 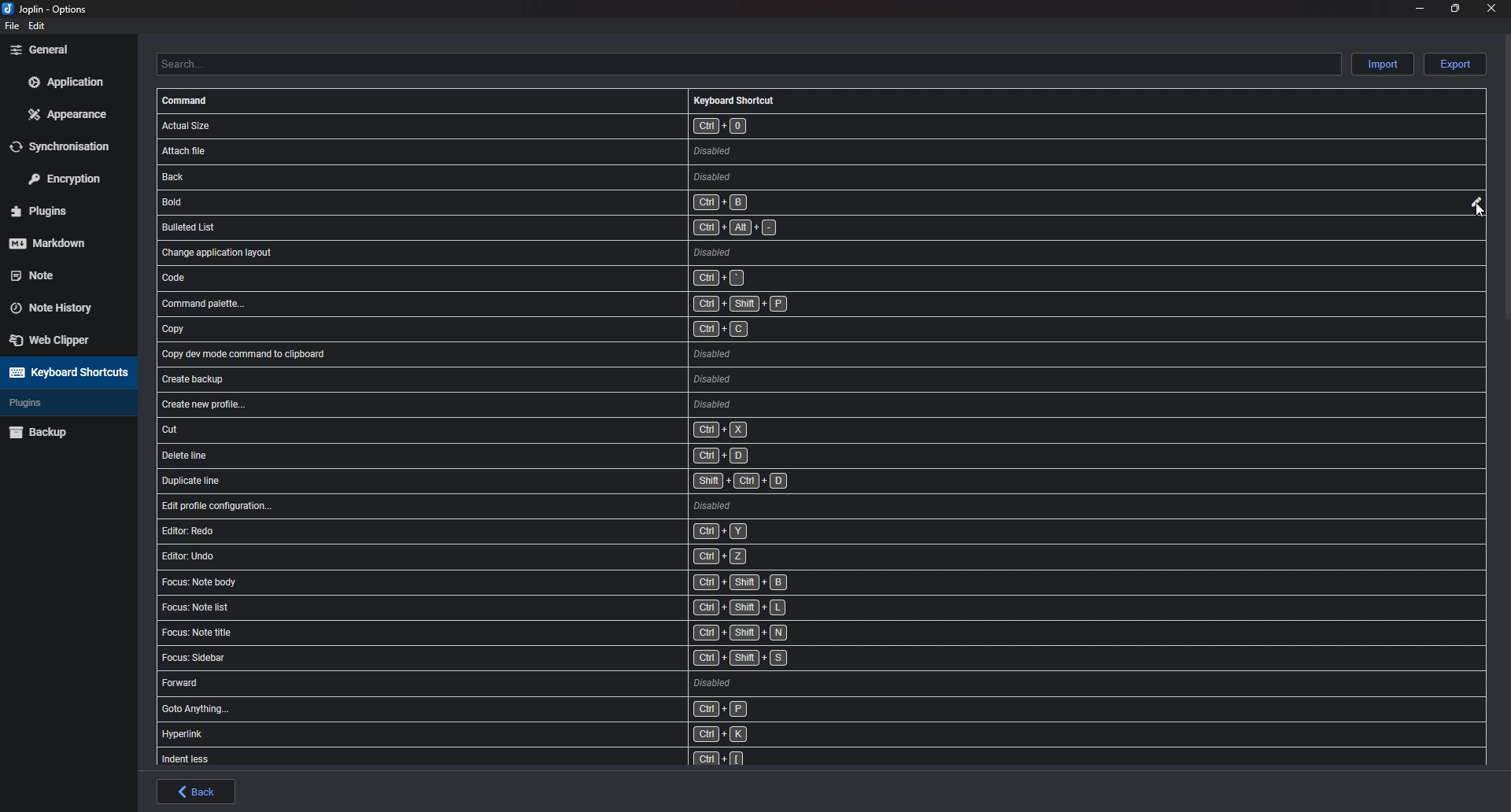 I want to click on shortcut, so click(x=530, y=278).